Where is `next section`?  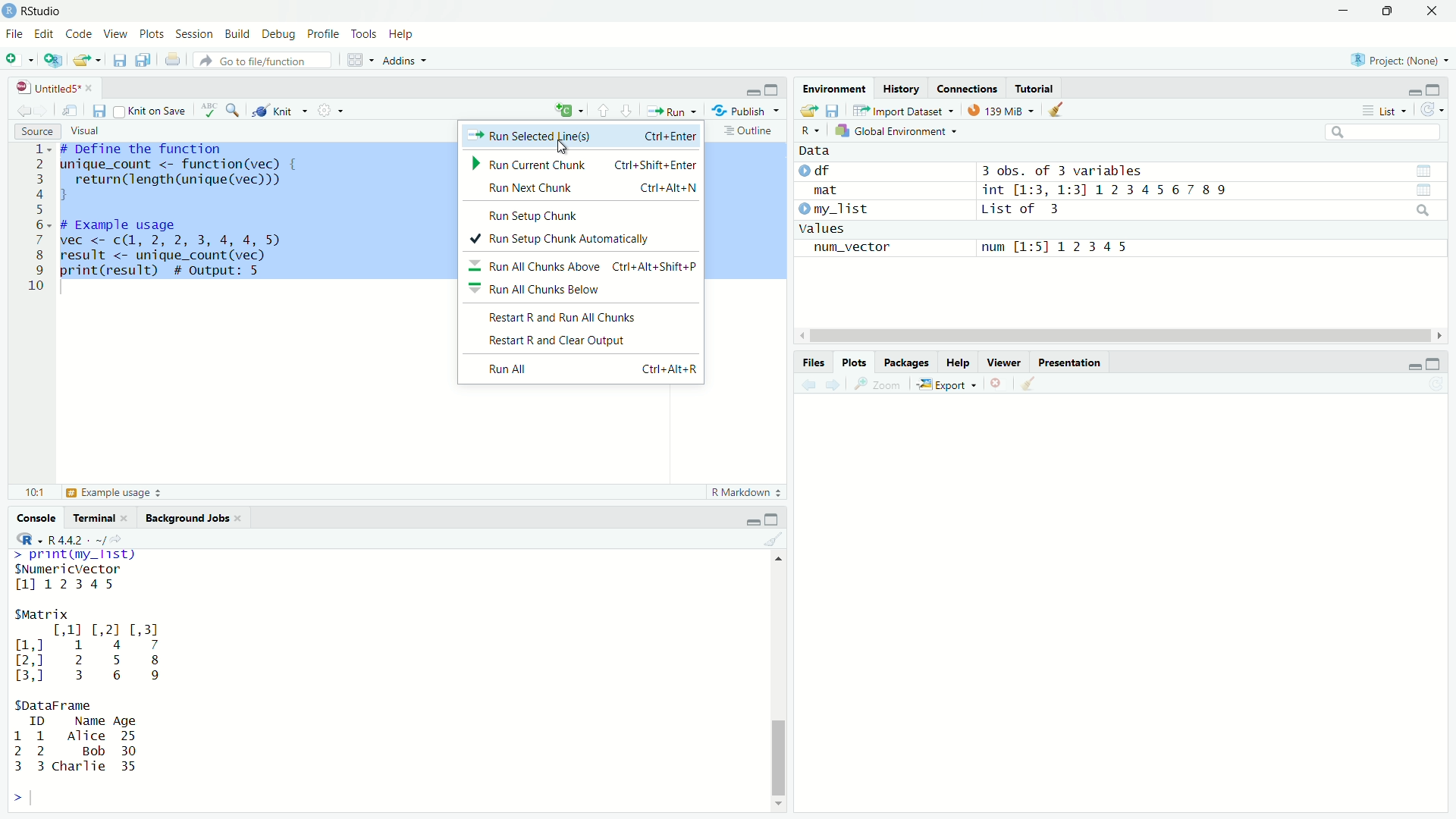 next section is located at coordinates (626, 111).